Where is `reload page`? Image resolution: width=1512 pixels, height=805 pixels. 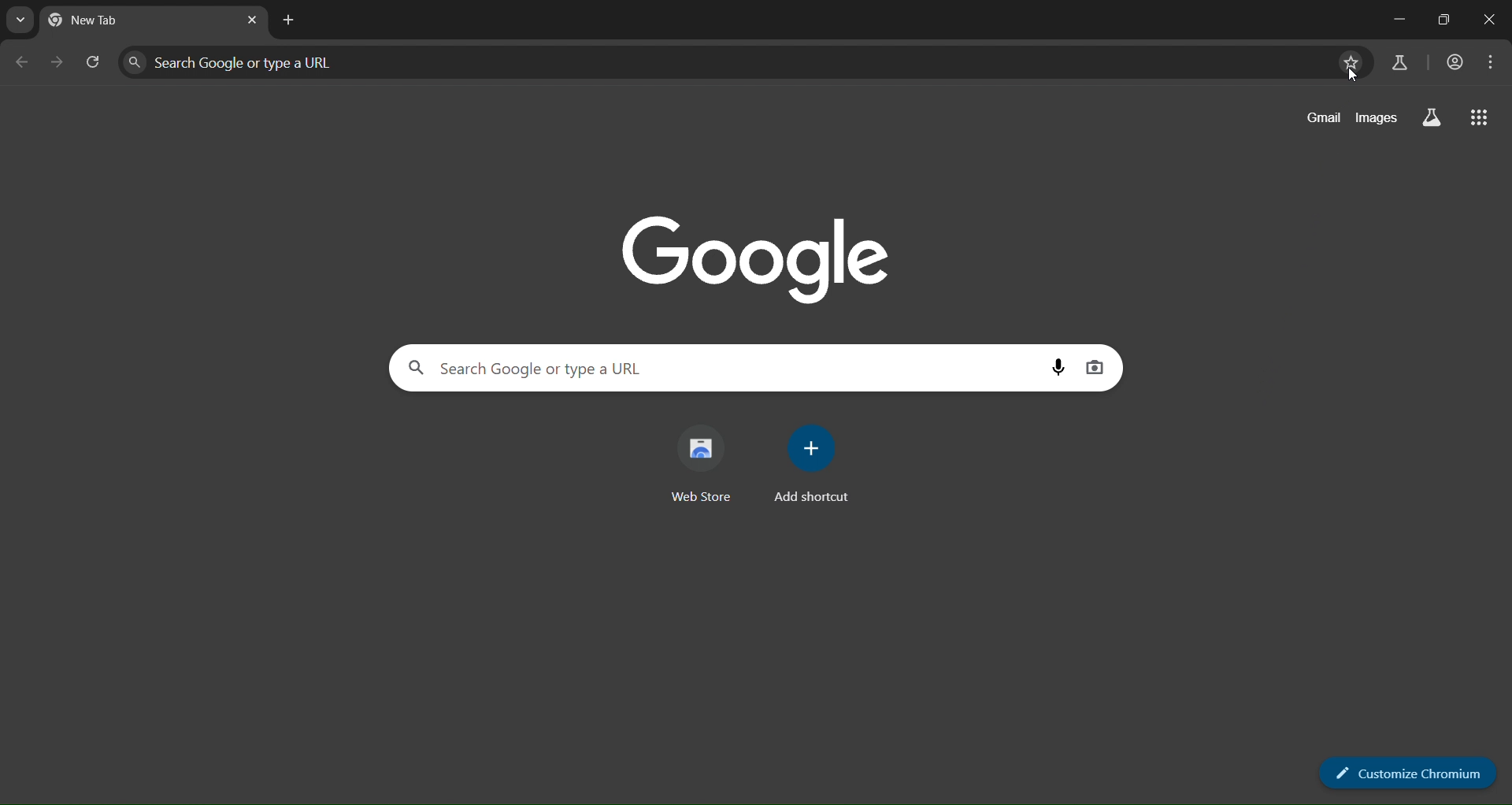
reload page is located at coordinates (95, 64).